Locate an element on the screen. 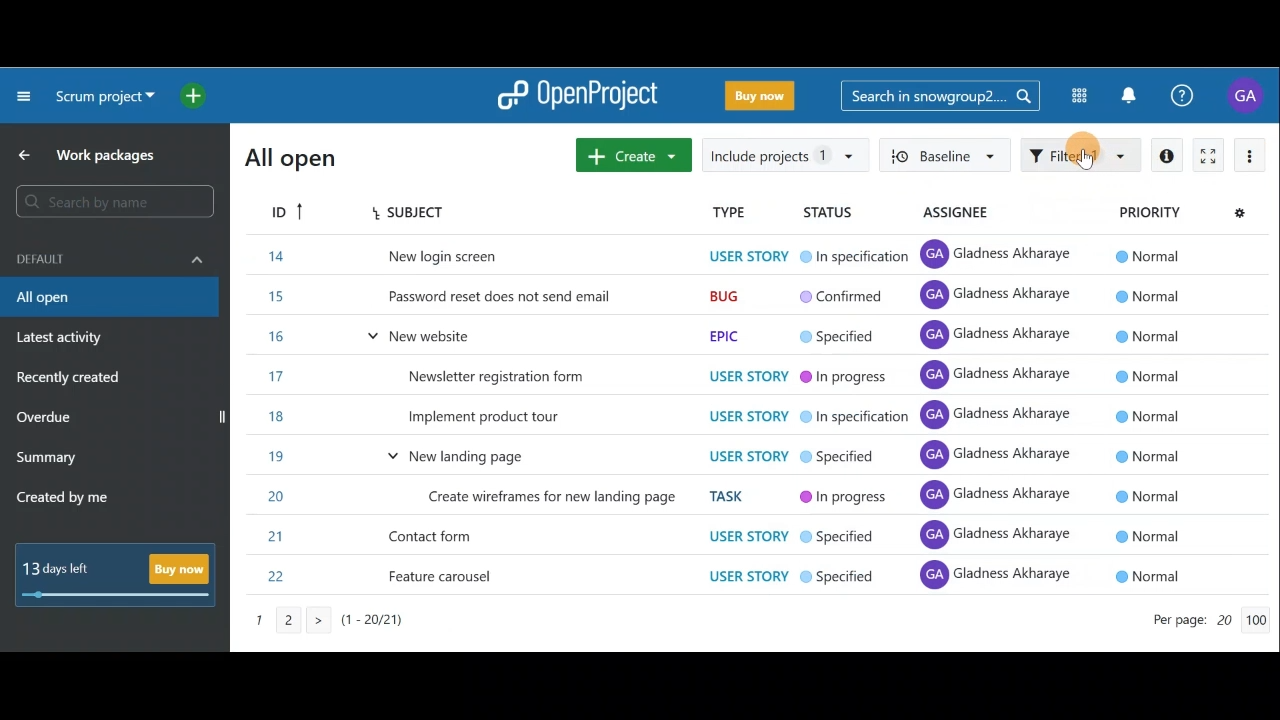 The height and width of the screenshot is (720, 1280). Page count is located at coordinates (1205, 622).